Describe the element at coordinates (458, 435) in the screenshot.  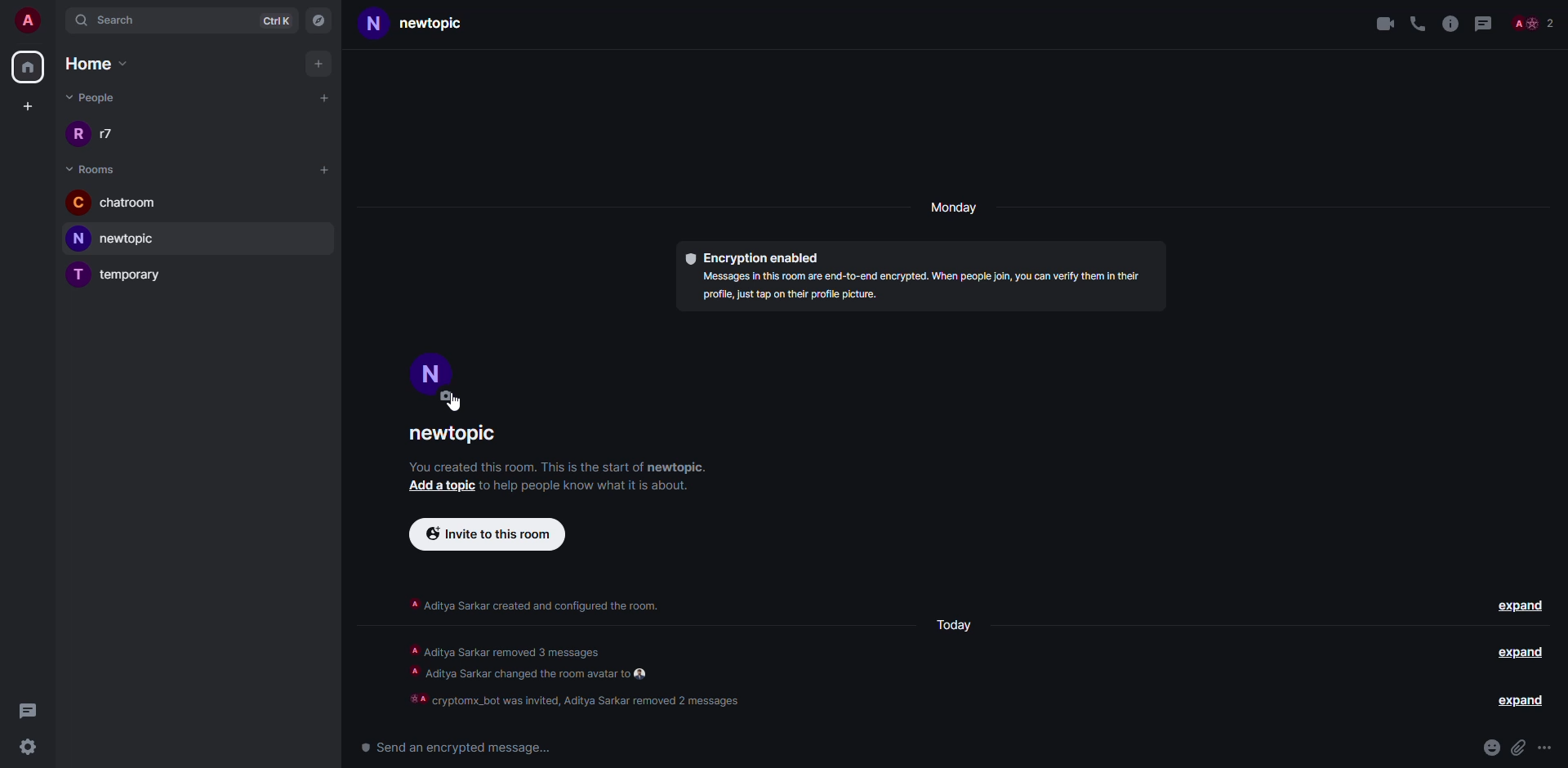
I see `room` at that location.